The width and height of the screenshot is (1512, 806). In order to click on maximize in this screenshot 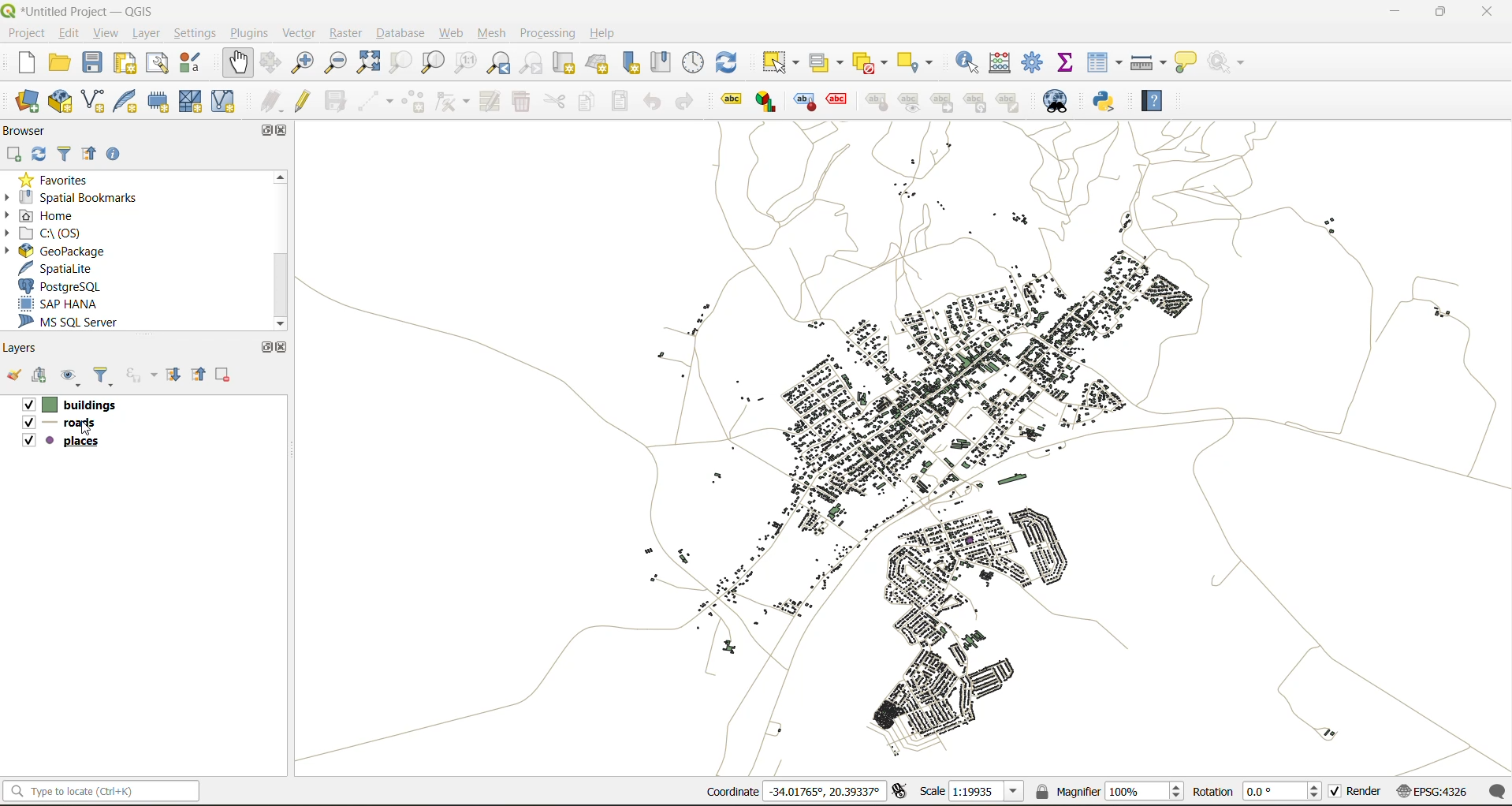, I will do `click(1440, 13)`.